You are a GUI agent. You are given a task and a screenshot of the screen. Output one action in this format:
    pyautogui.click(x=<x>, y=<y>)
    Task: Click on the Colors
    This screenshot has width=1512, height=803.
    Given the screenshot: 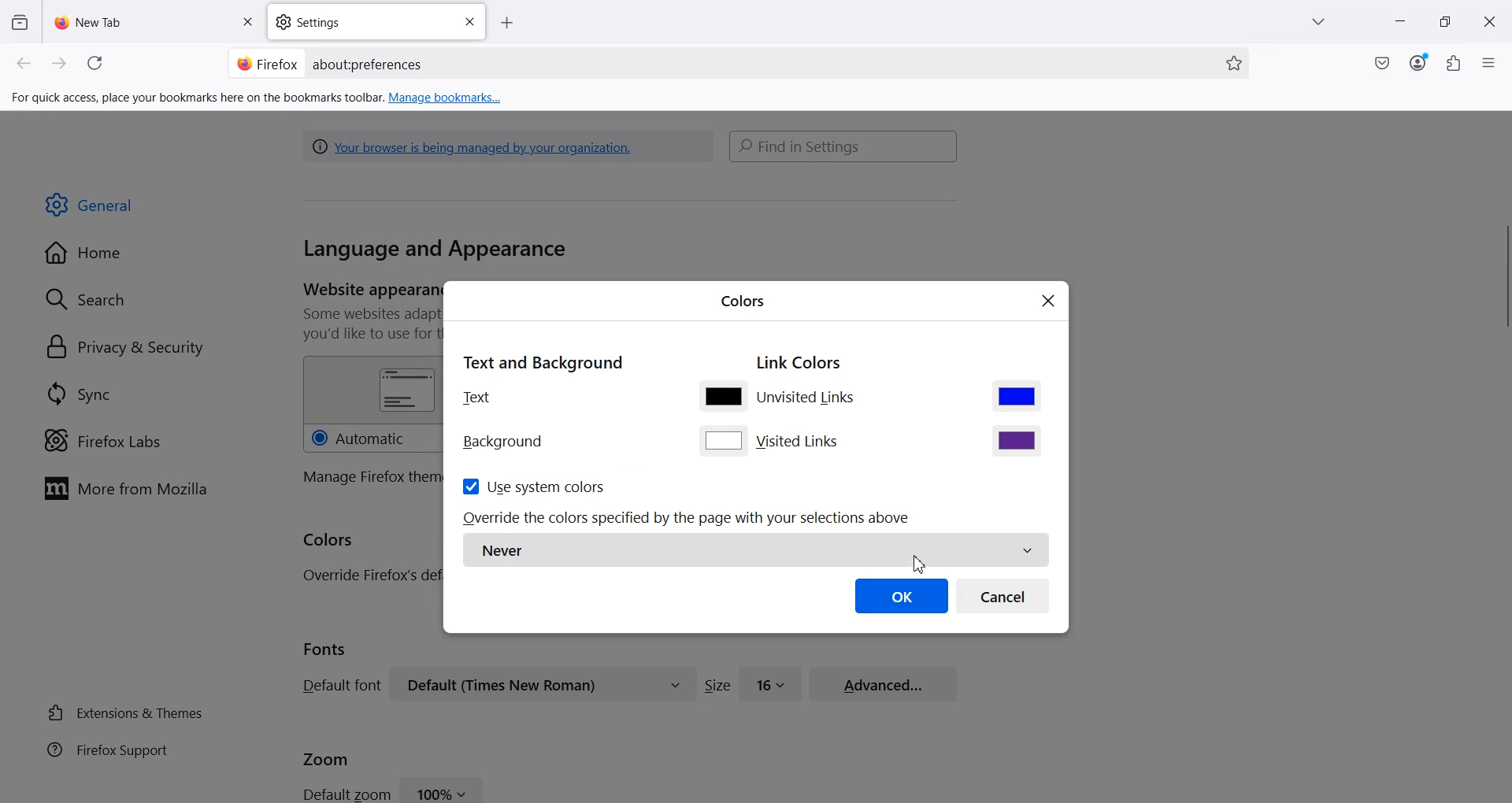 What is the action you would take?
    pyautogui.click(x=743, y=299)
    